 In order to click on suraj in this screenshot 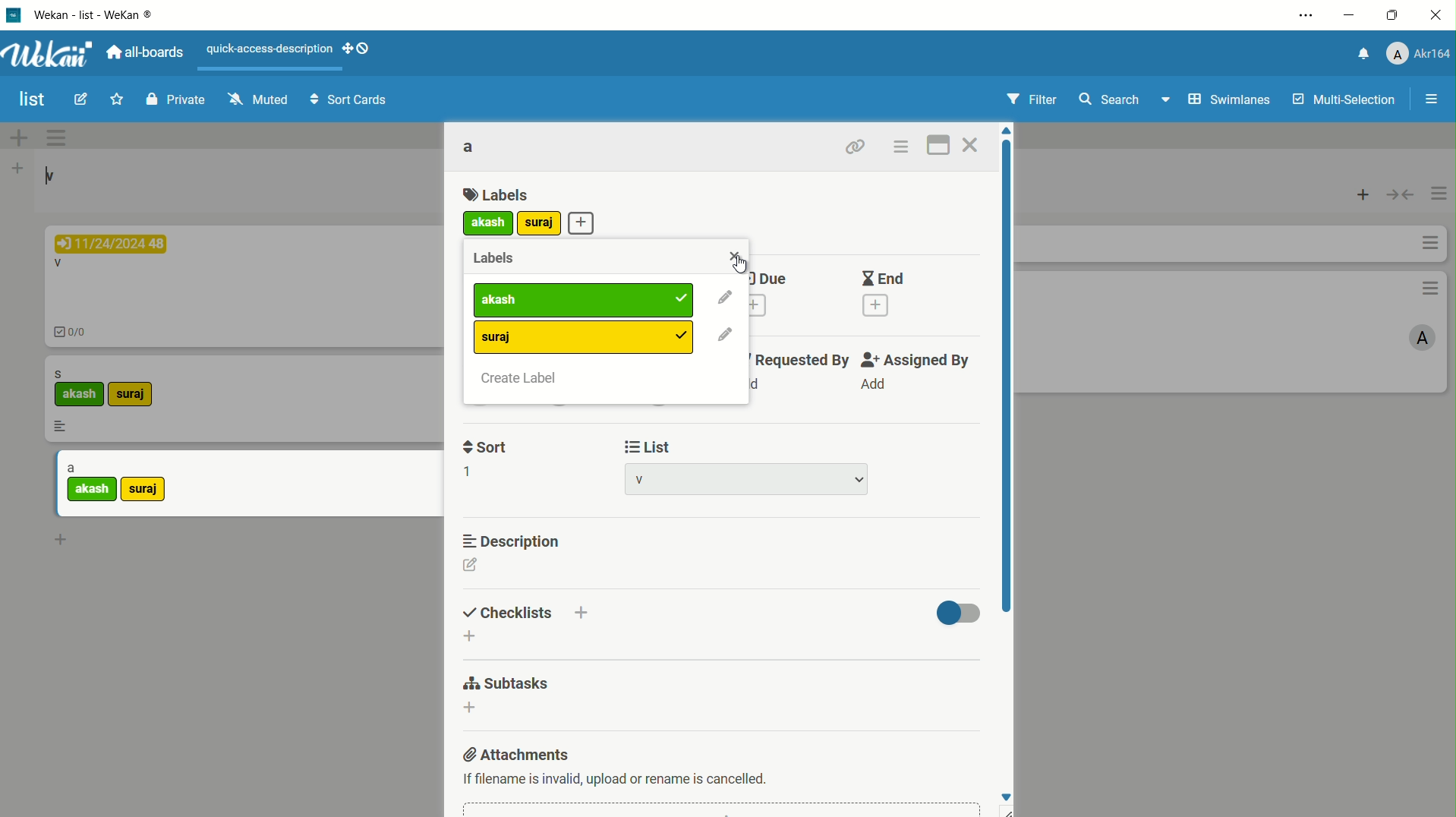, I will do `click(143, 489)`.